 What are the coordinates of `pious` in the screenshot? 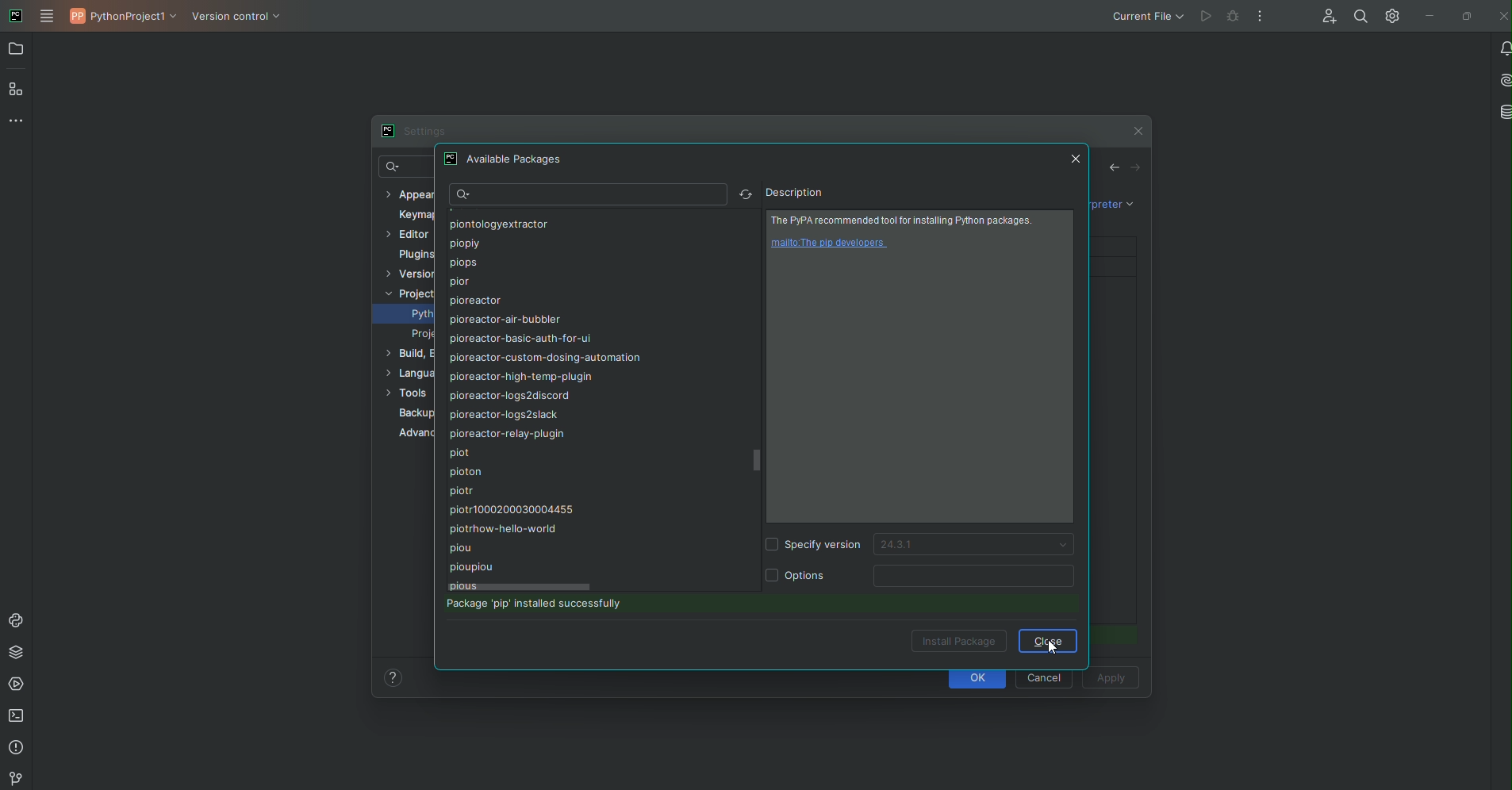 It's located at (463, 584).